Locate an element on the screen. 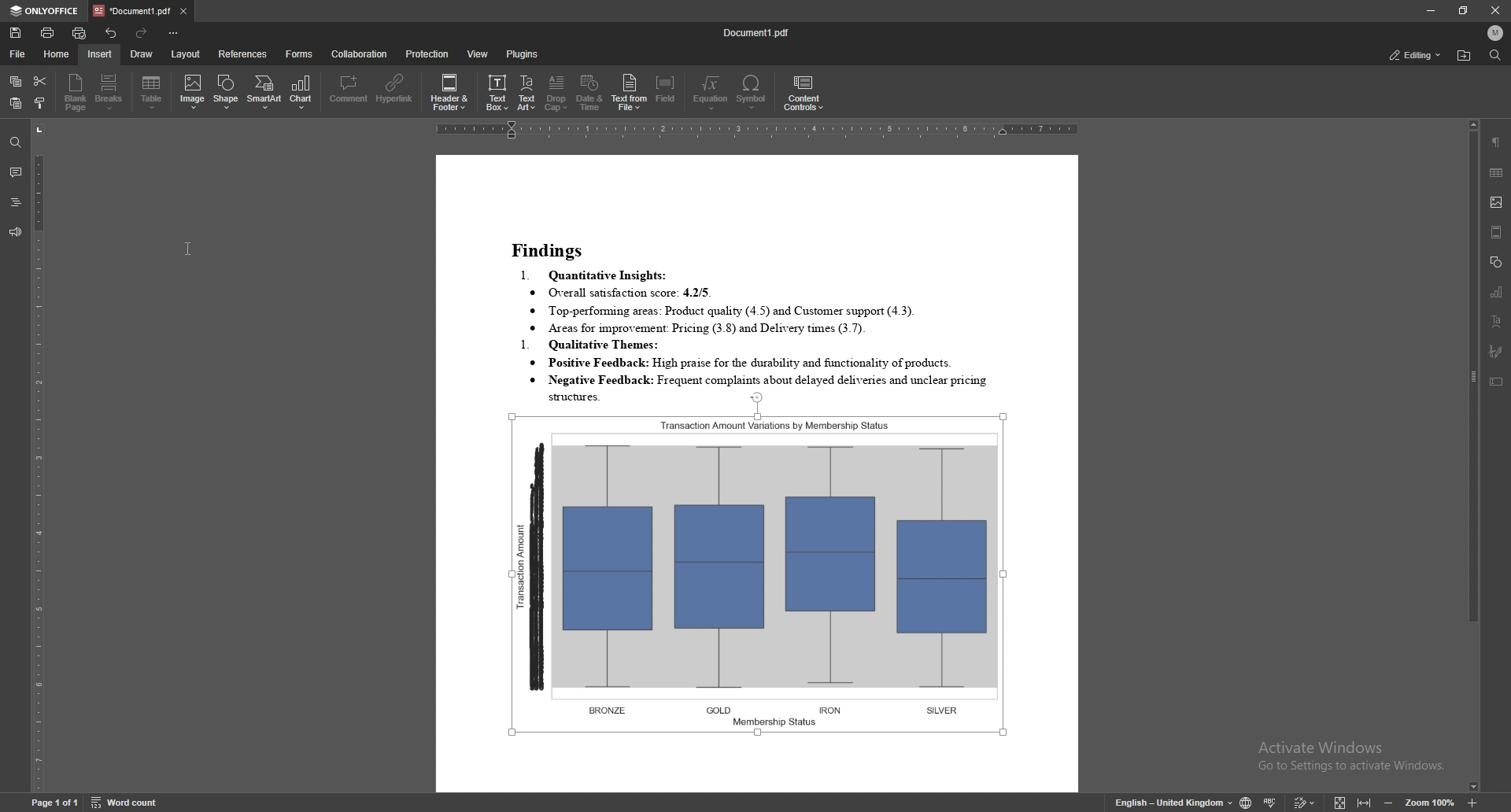 This screenshot has height=812, width=1511. forms is located at coordinates (301, 54).